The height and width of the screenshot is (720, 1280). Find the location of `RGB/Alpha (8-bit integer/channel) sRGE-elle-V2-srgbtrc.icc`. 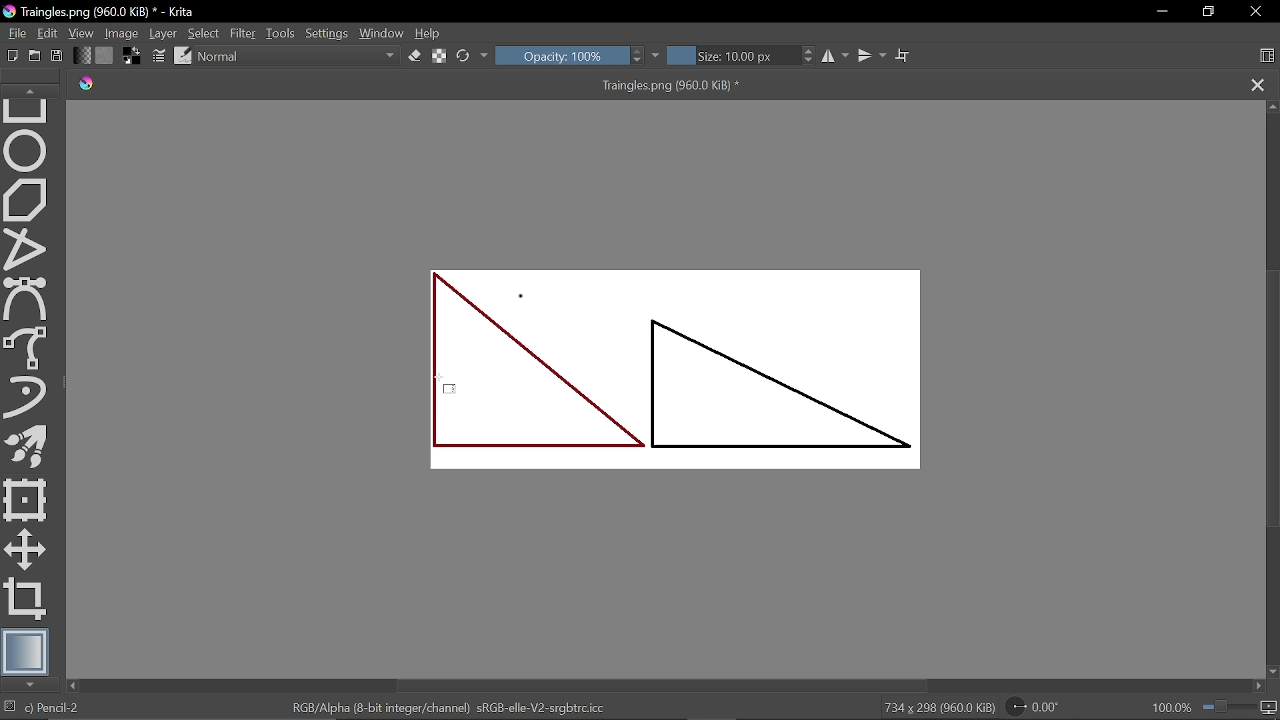

RGB/Alpha (8-bit integer/channel) sRGE-elle-V2-srgbtrc.icc is located at coordinates (452, 707).